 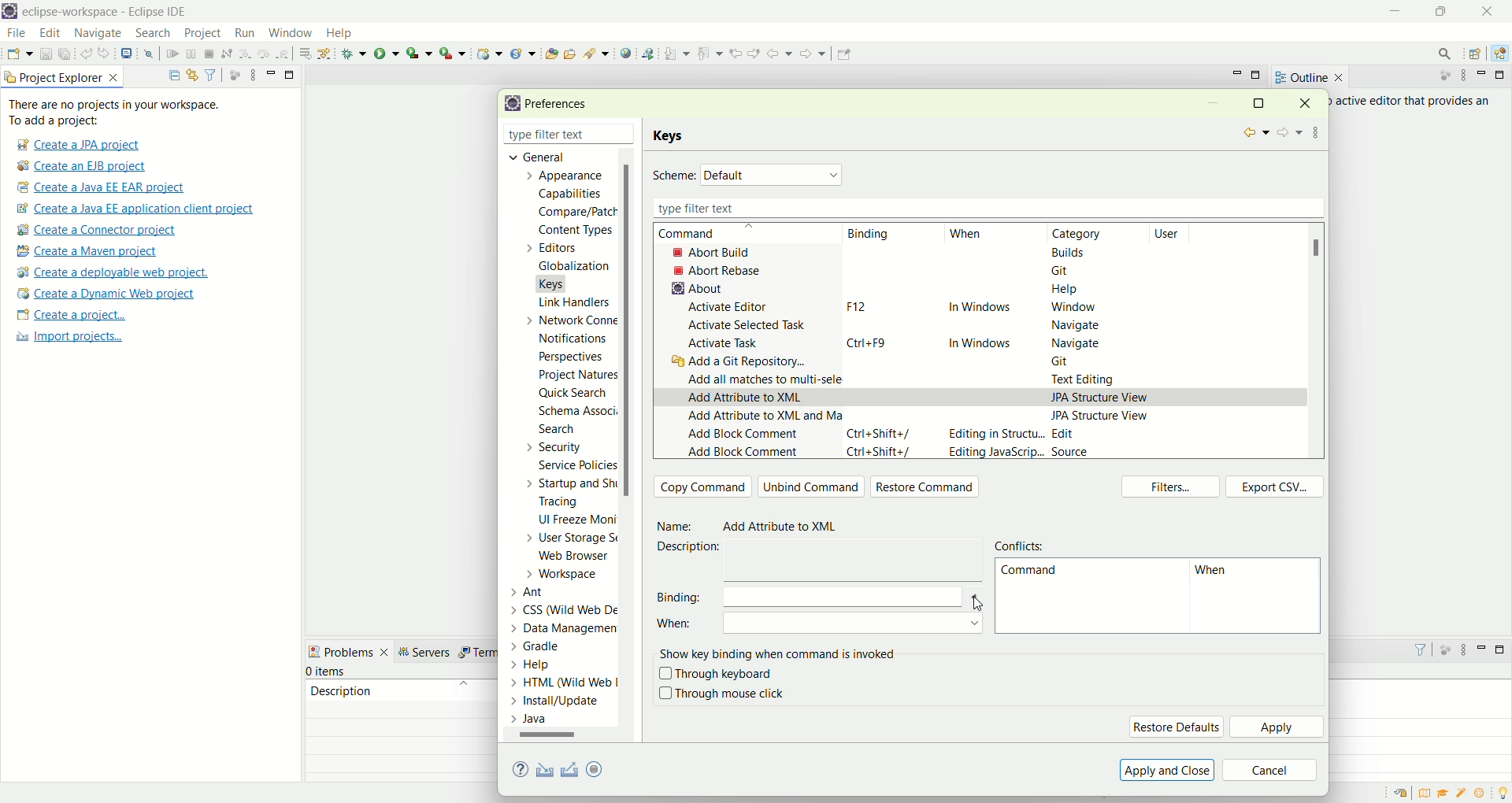 I want to click on activate editor, so click(x=731, y=307).